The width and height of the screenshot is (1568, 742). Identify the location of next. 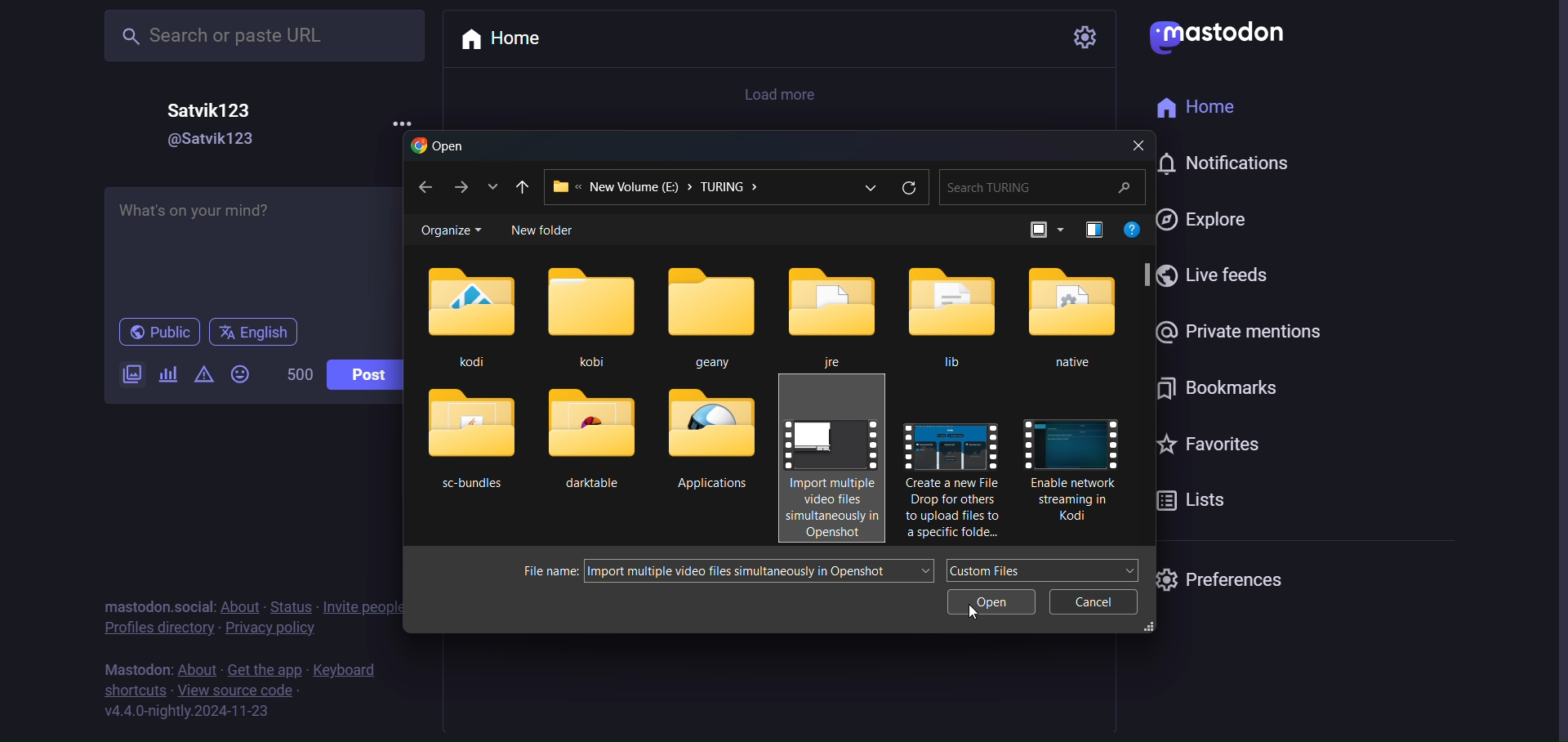
(458, 186).